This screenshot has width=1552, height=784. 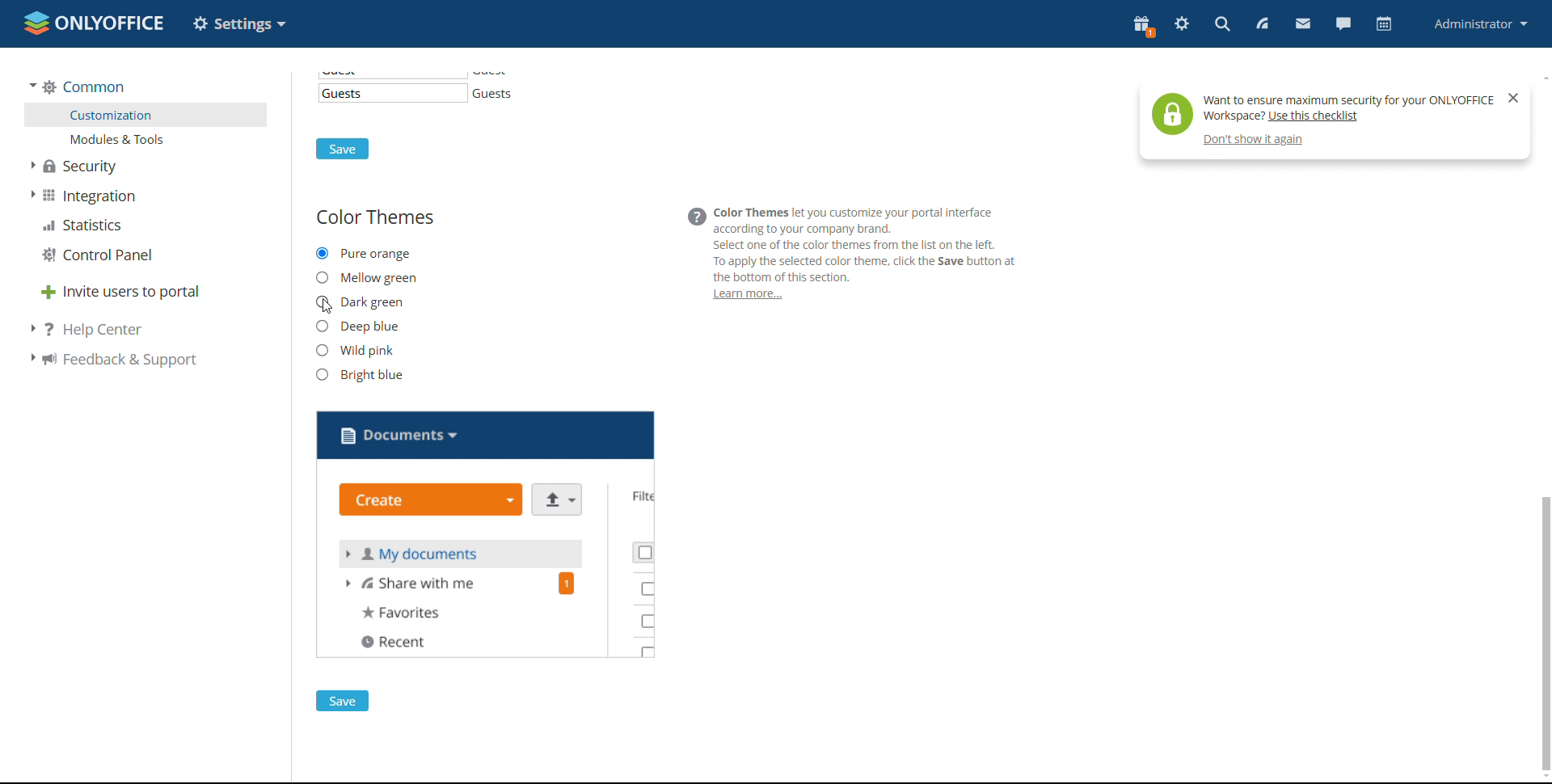 What do you see at coordinates (356, 349) in the screenshot?
I see `wild pink` at bounding box center [356, 349].